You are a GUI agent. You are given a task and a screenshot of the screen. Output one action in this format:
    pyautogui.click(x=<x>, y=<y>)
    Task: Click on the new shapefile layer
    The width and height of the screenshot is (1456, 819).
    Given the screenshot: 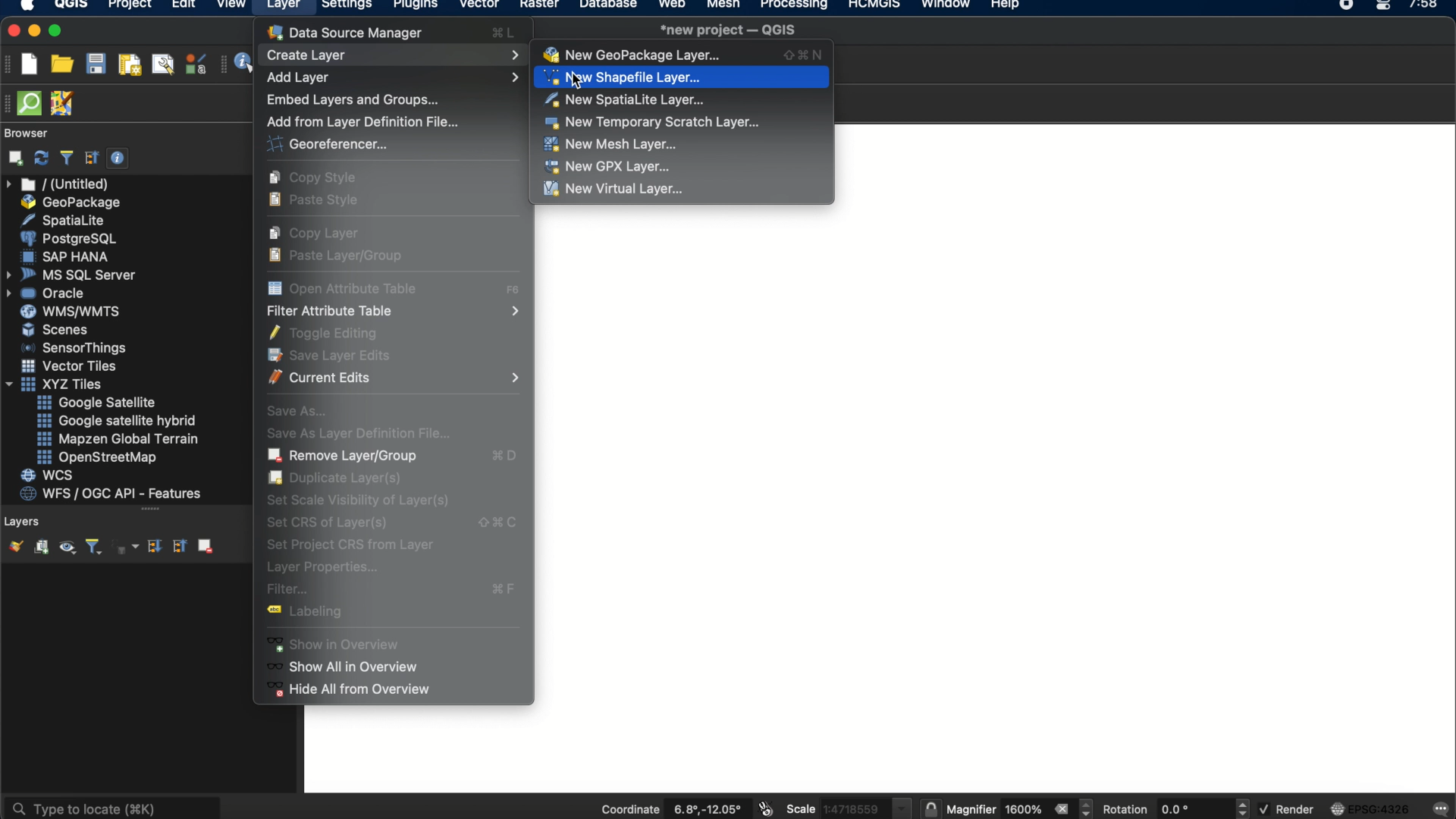 What is the action you would take?
    pyautogui.click(x=624, y=77)
    